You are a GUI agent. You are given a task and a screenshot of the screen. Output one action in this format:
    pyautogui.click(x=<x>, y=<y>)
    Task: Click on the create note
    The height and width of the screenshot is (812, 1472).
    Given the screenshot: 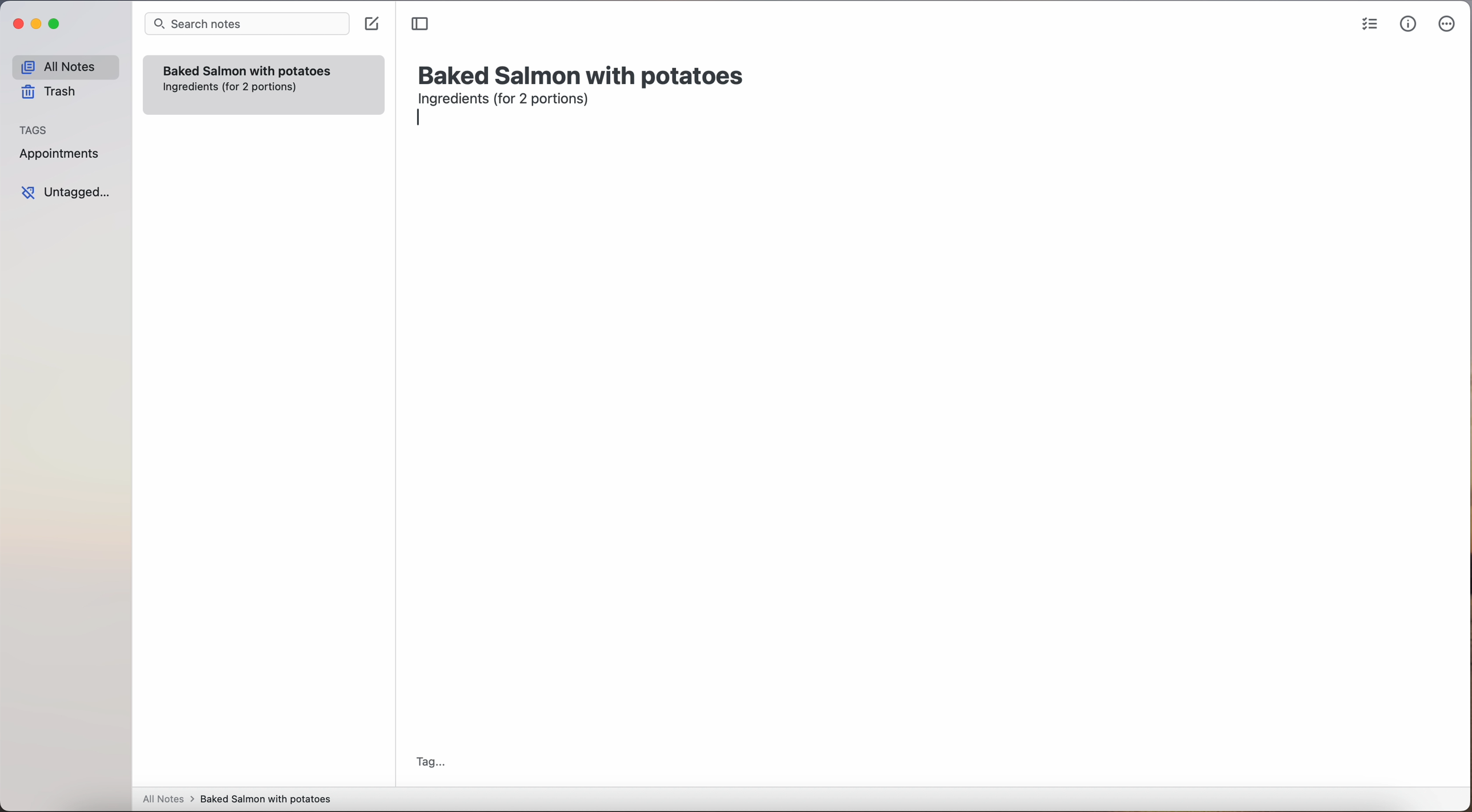 What is the action you would take?
    pyautogui.click(x=371, y=24)
    